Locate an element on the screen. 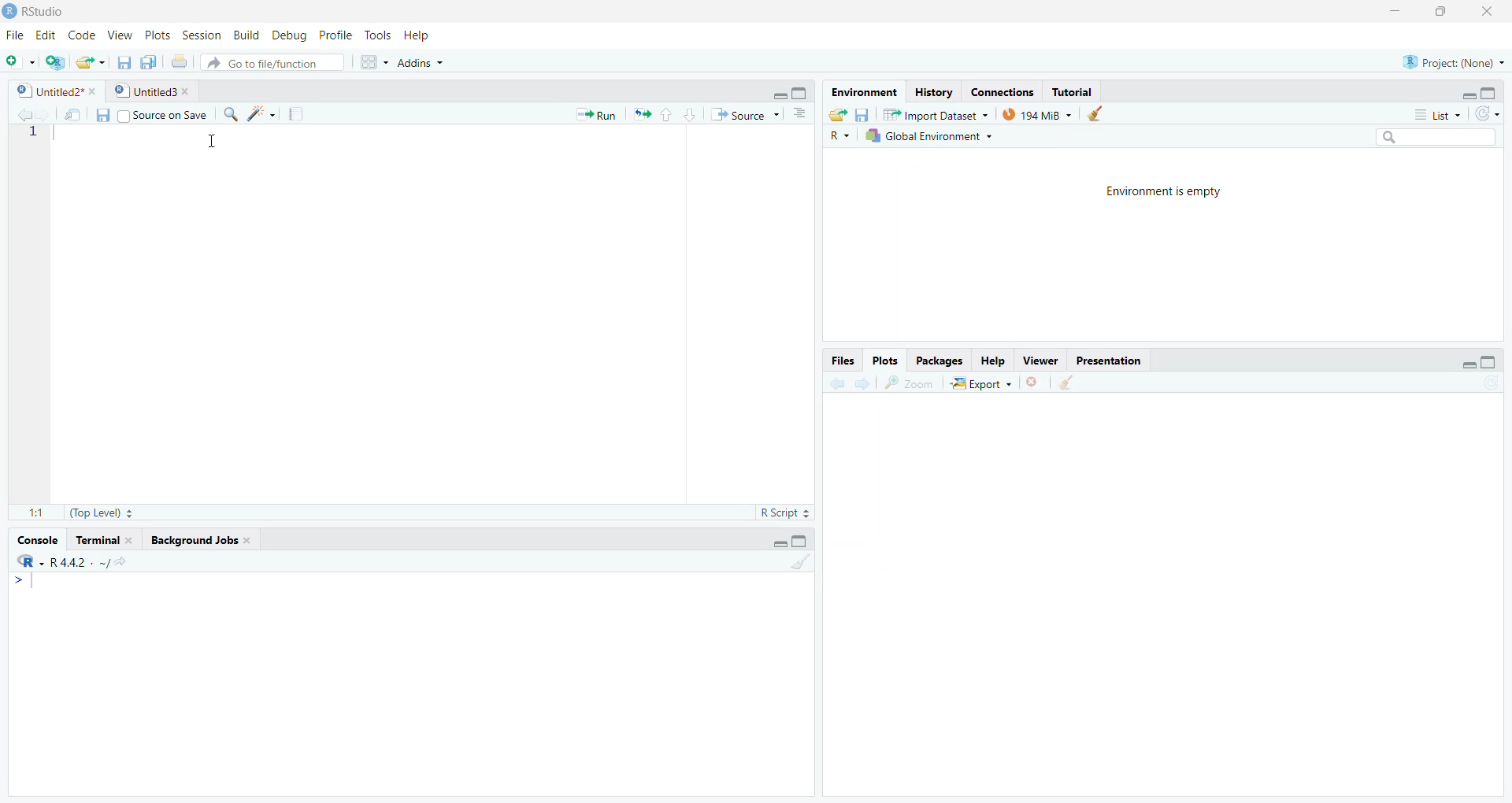 The height and width of the screenshot is (803, 1512). down is located at coordinates (691, 115).